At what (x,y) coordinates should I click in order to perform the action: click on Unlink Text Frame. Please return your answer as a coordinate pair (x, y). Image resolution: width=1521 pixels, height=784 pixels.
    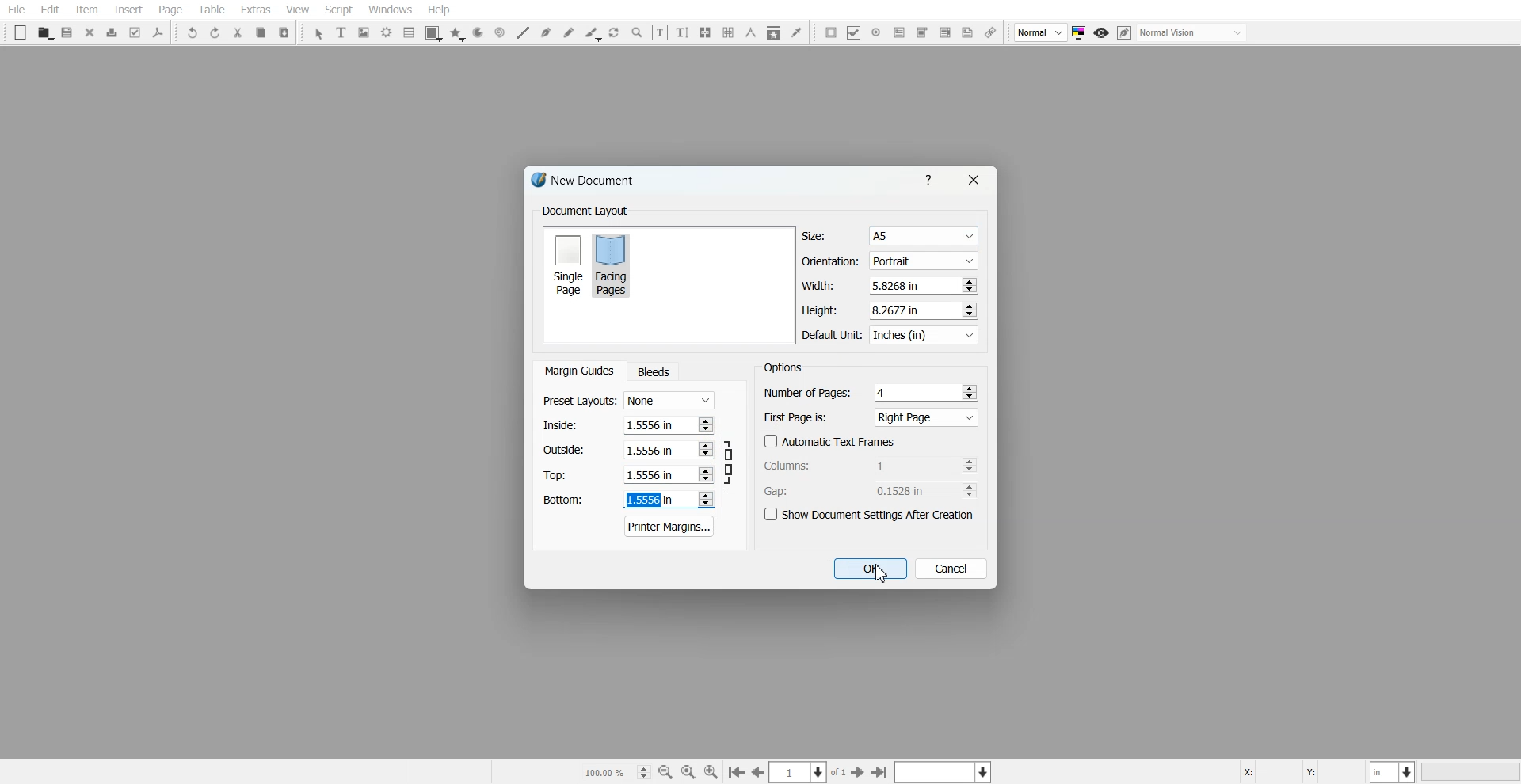
    Looking at the image, I should click on (729, 32).